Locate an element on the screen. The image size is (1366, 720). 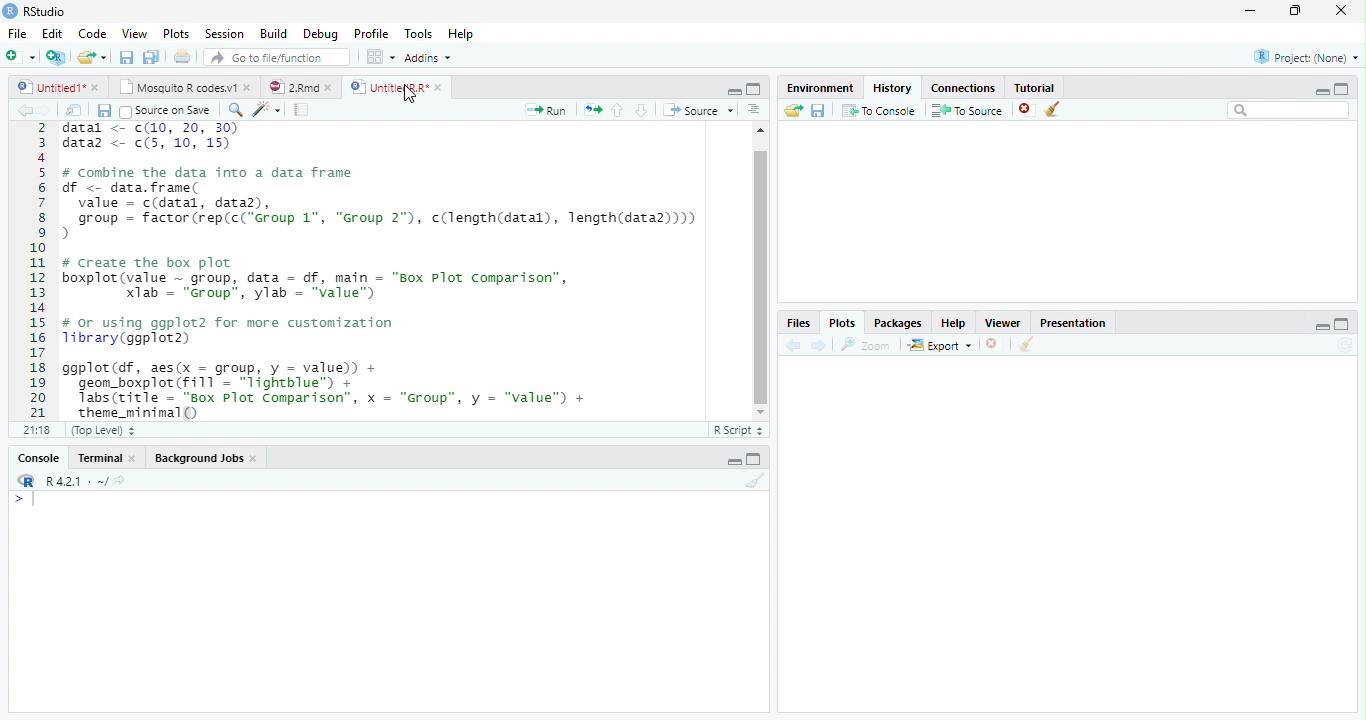
Debug is located at coordinates (319, 34).